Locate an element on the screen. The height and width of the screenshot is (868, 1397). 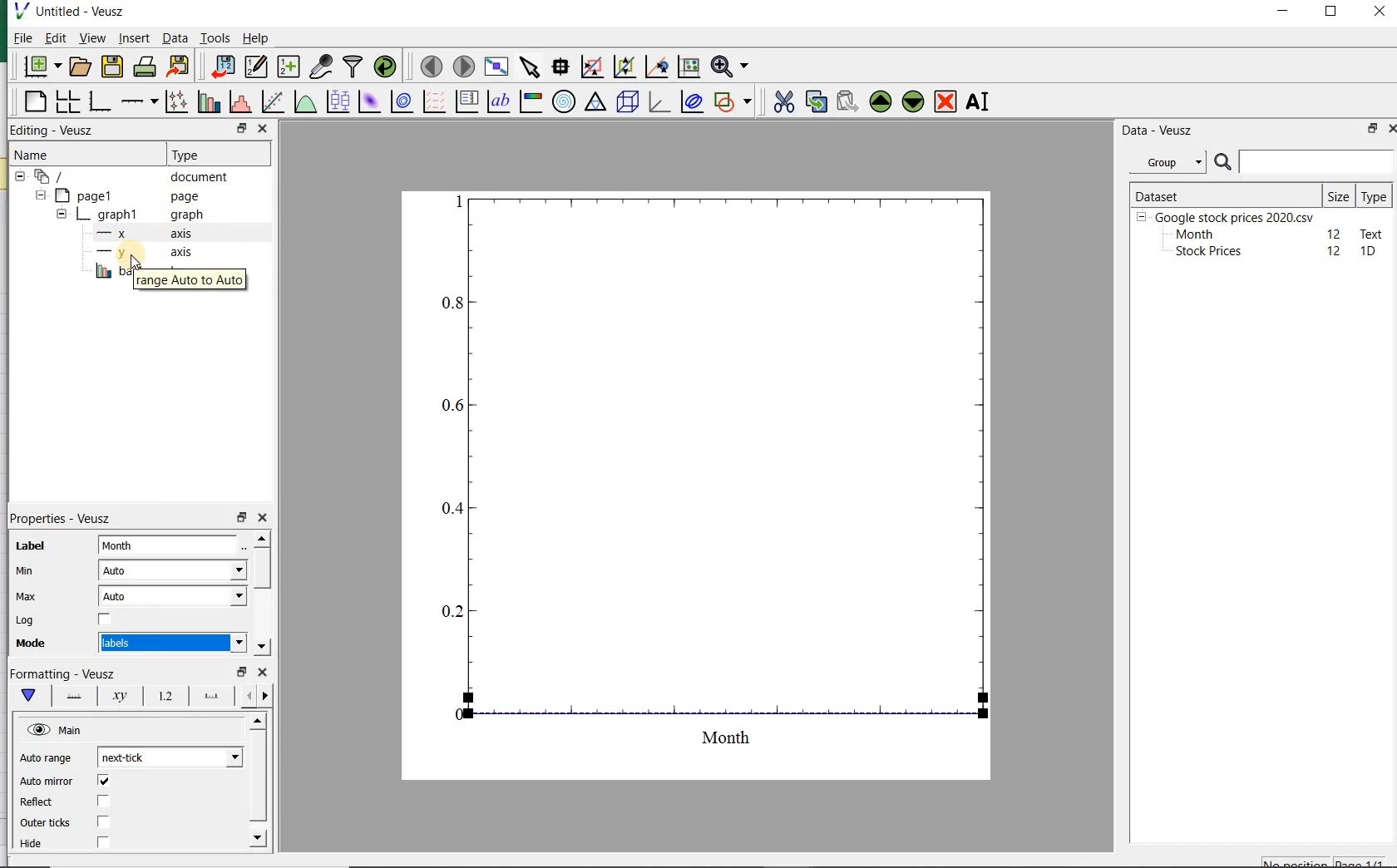
tick labels is located at coordinates (162, 698).